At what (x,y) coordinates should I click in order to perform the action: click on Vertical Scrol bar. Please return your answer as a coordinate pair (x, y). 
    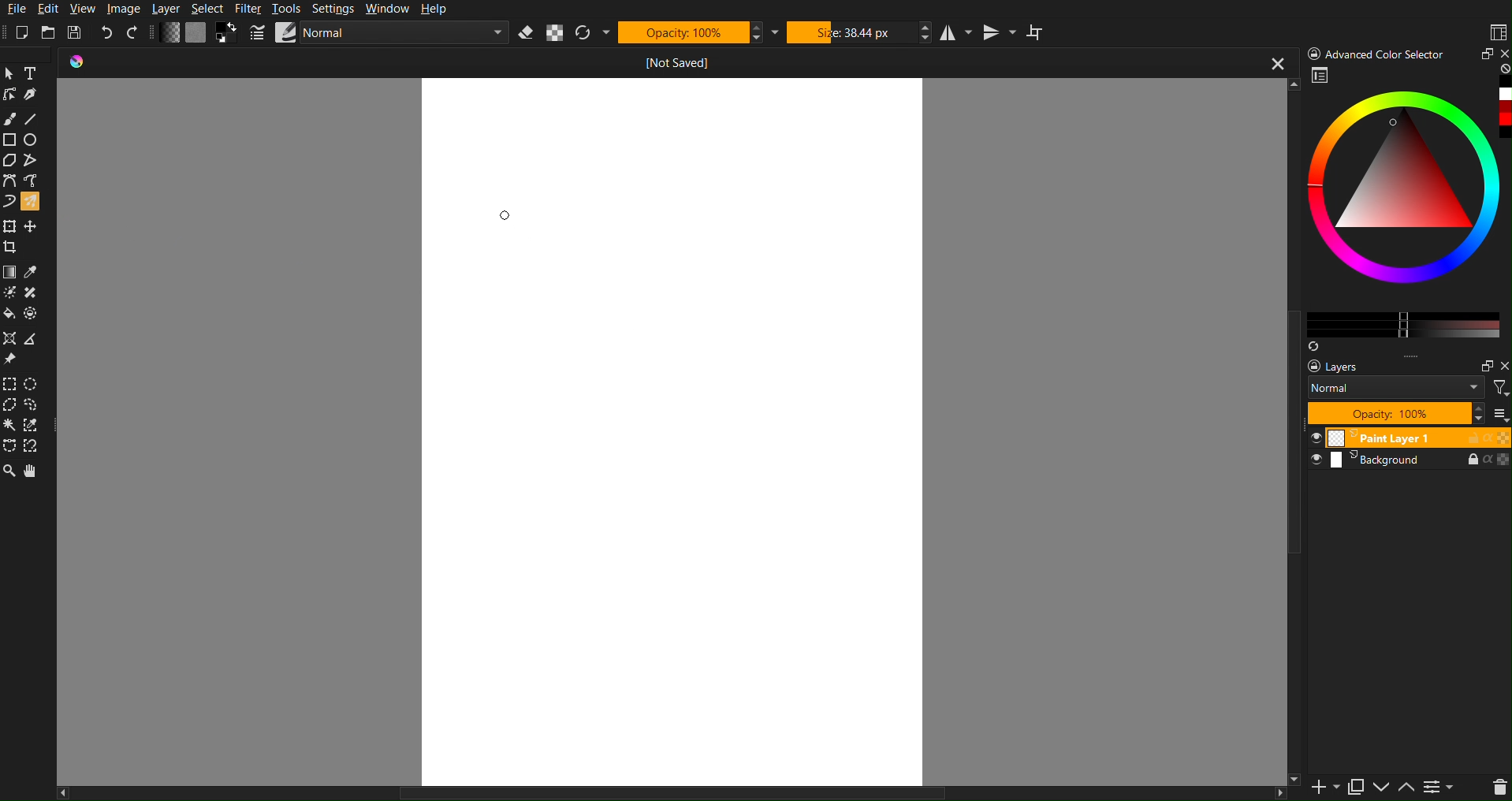
    Looking at the image, I should click on (1285, 449).